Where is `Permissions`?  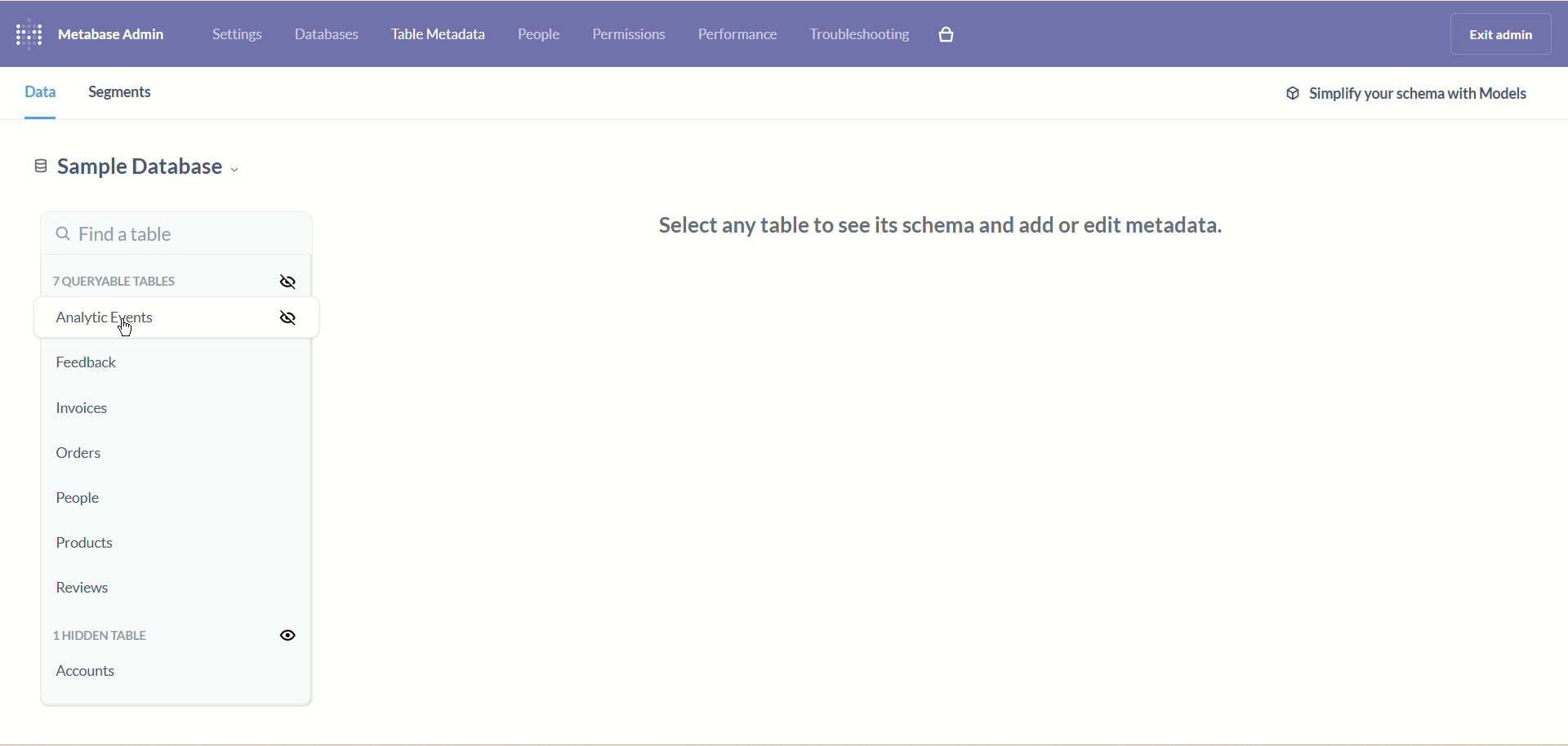 Permissions is located at coordinates (635, 37).